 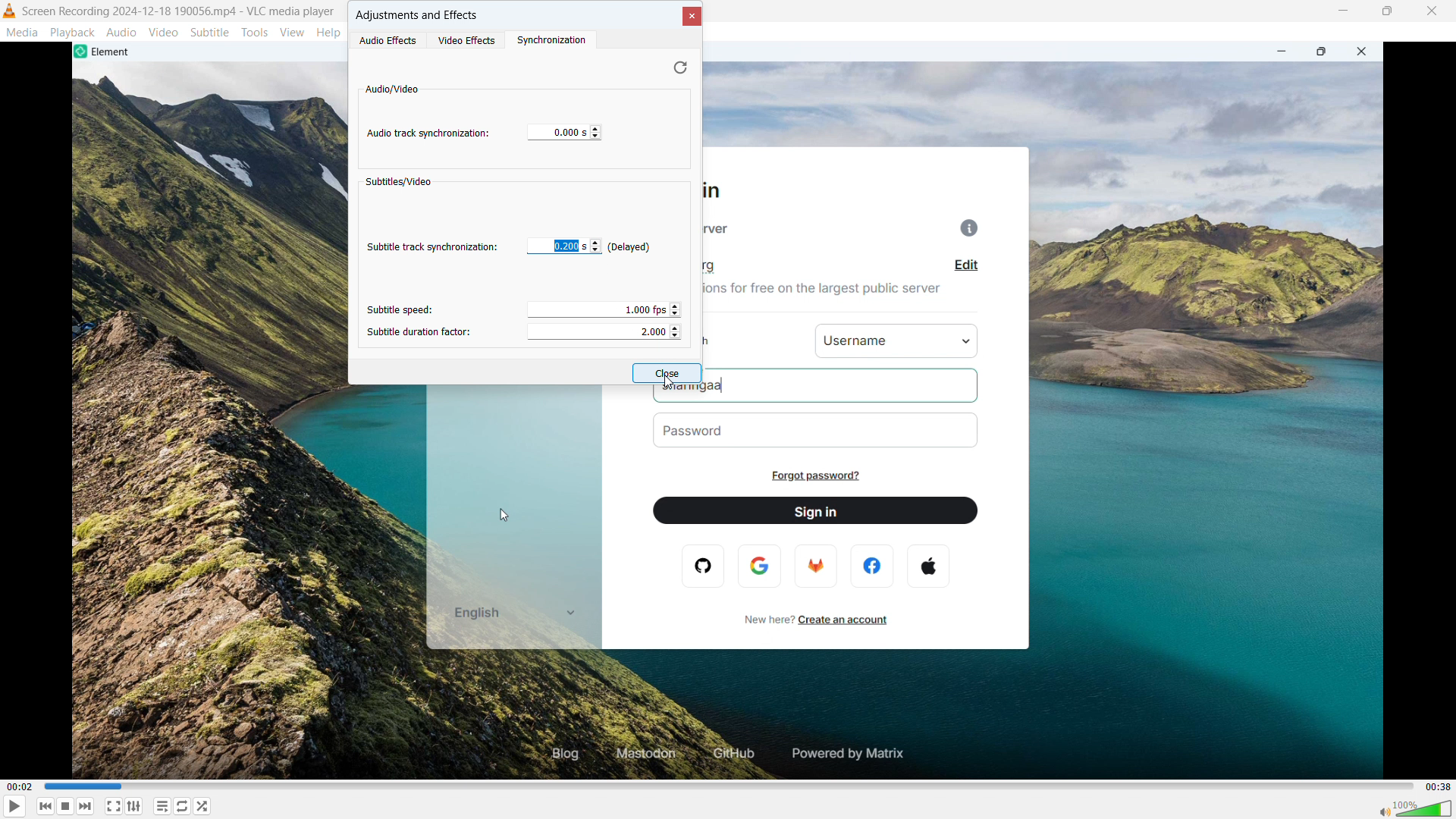 I want to click on apple logo, so click(x=927, y=566).